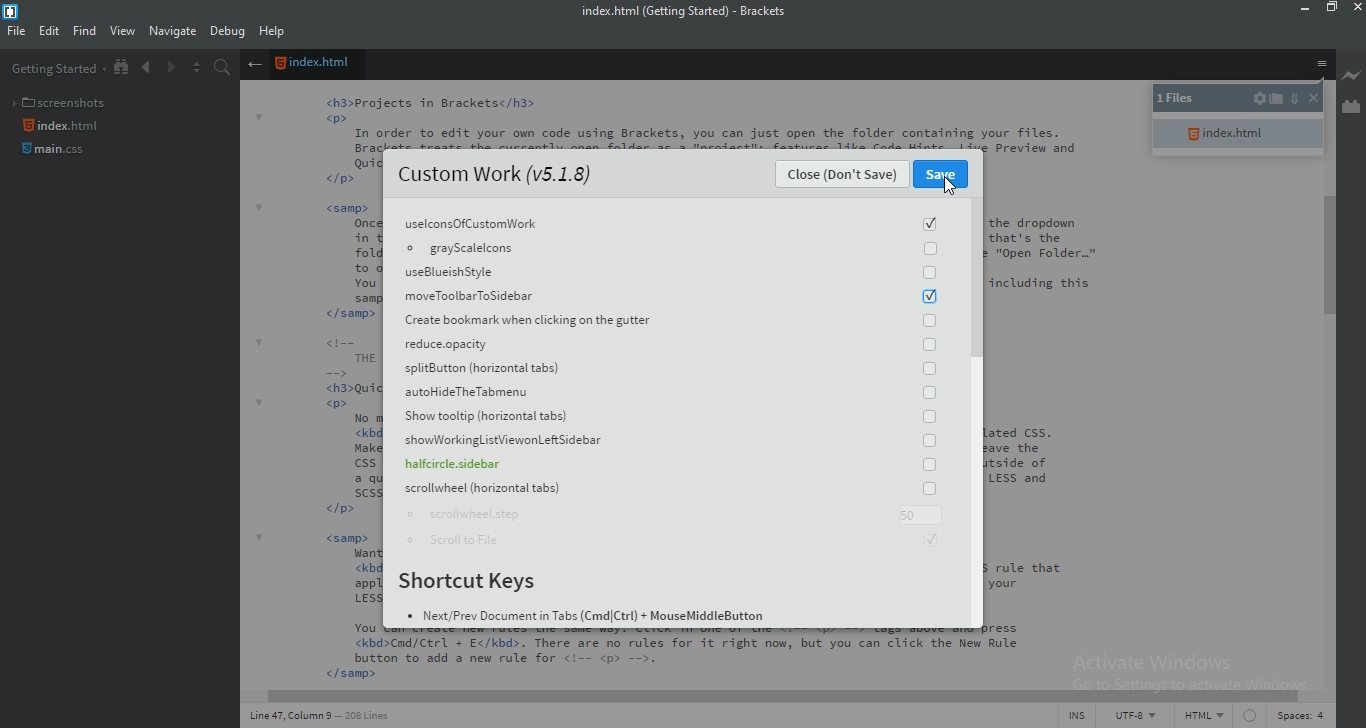  Describe the element at coordinates (225, 69) in the screenshot. I see `Find in files` at that location.